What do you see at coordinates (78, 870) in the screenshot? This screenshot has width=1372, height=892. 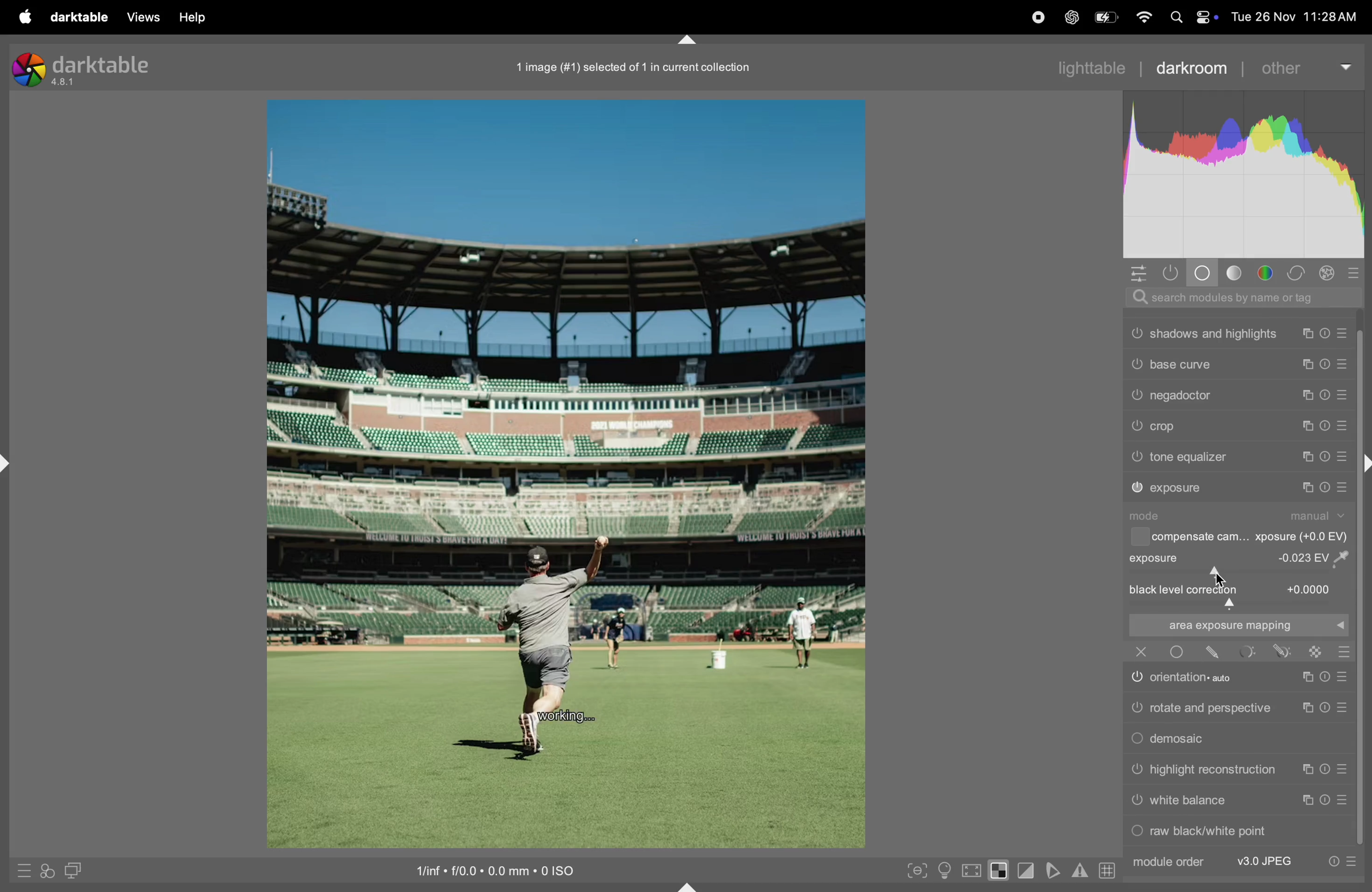 I see `display second dark room` at bounding box center [78, 870].